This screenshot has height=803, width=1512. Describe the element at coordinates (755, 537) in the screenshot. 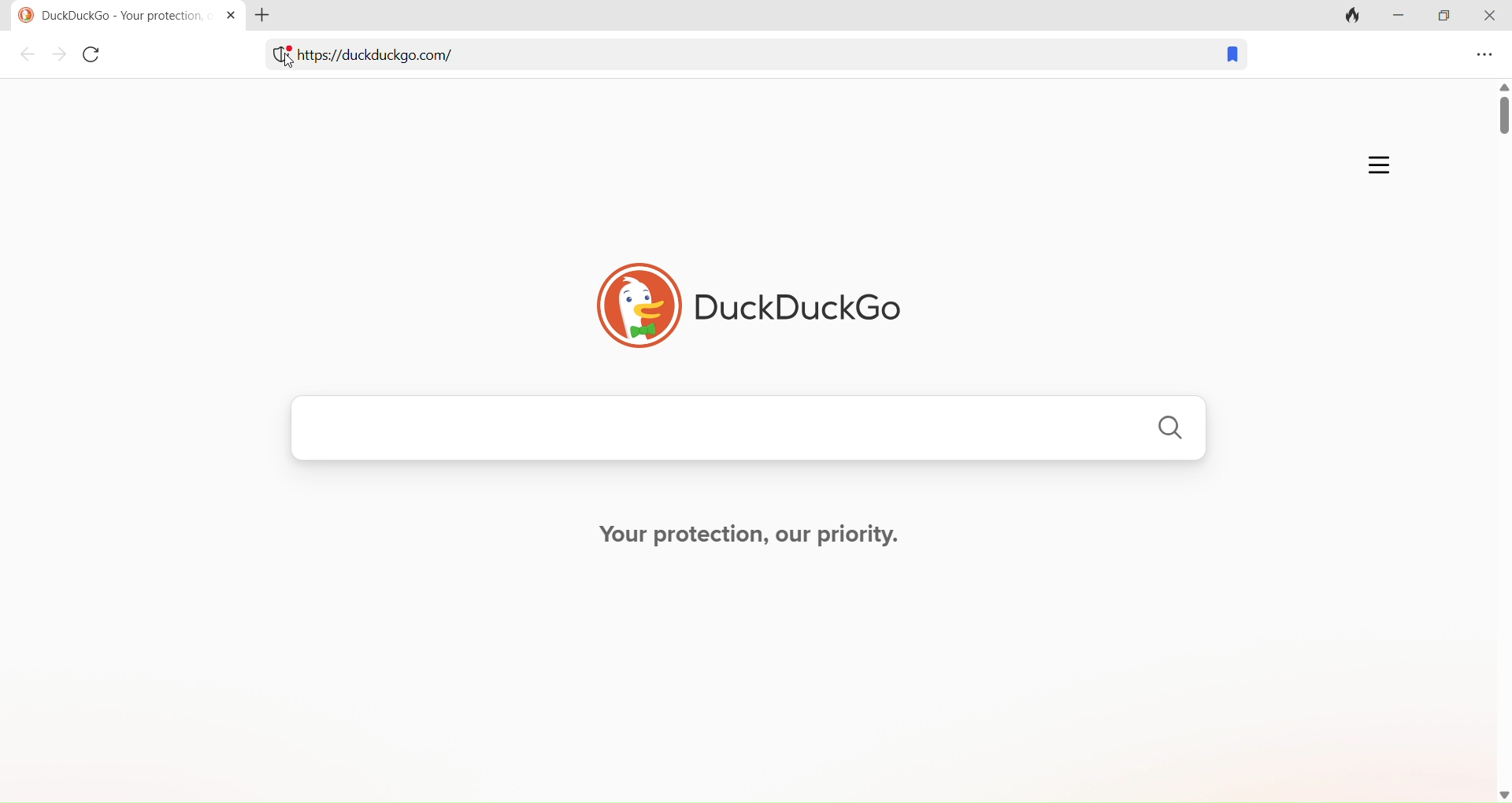

I see `Your protection, our priority.` at that location.